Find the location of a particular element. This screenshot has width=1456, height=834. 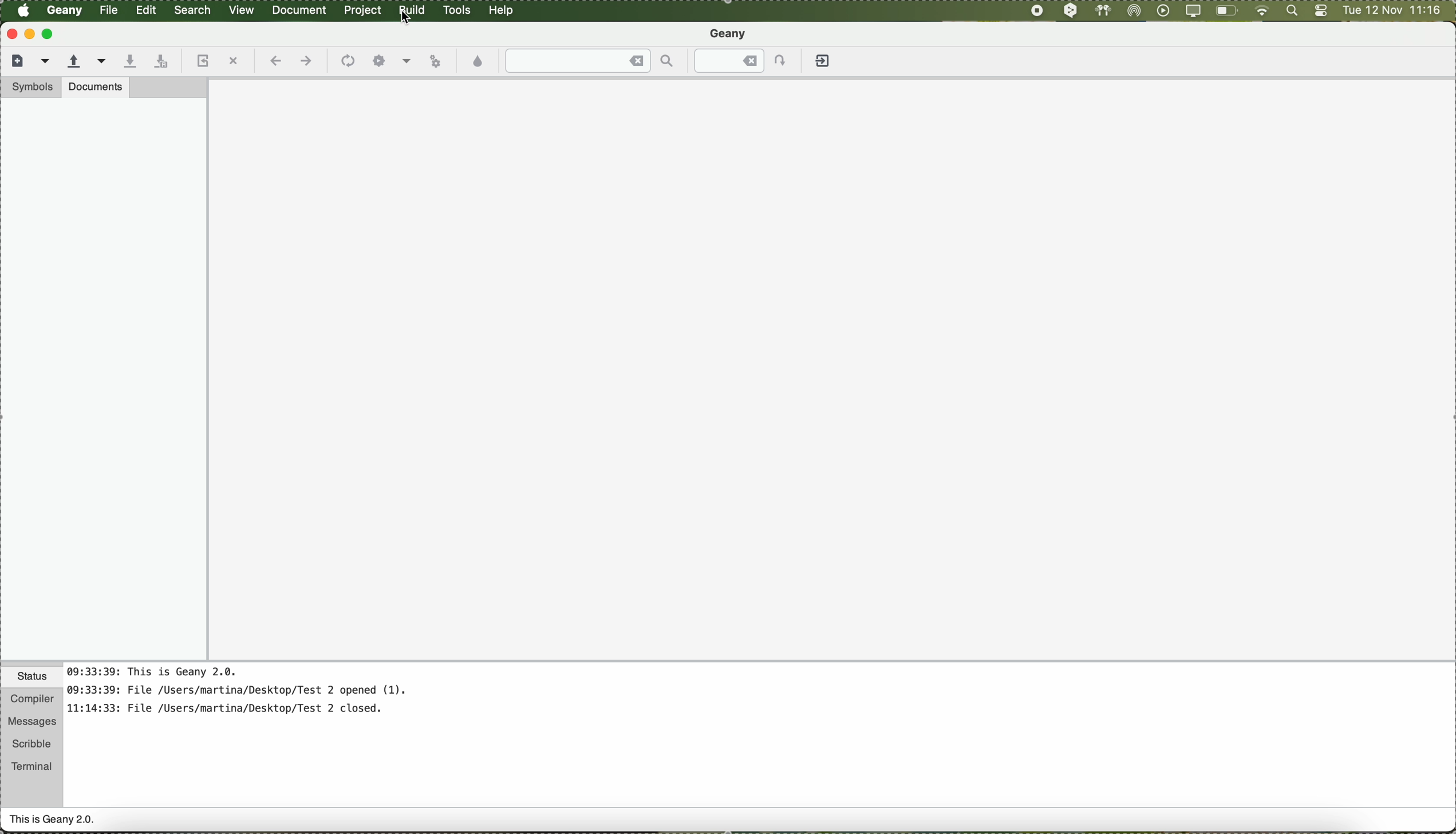

spotlight search is located at coordinates (1289, 11).